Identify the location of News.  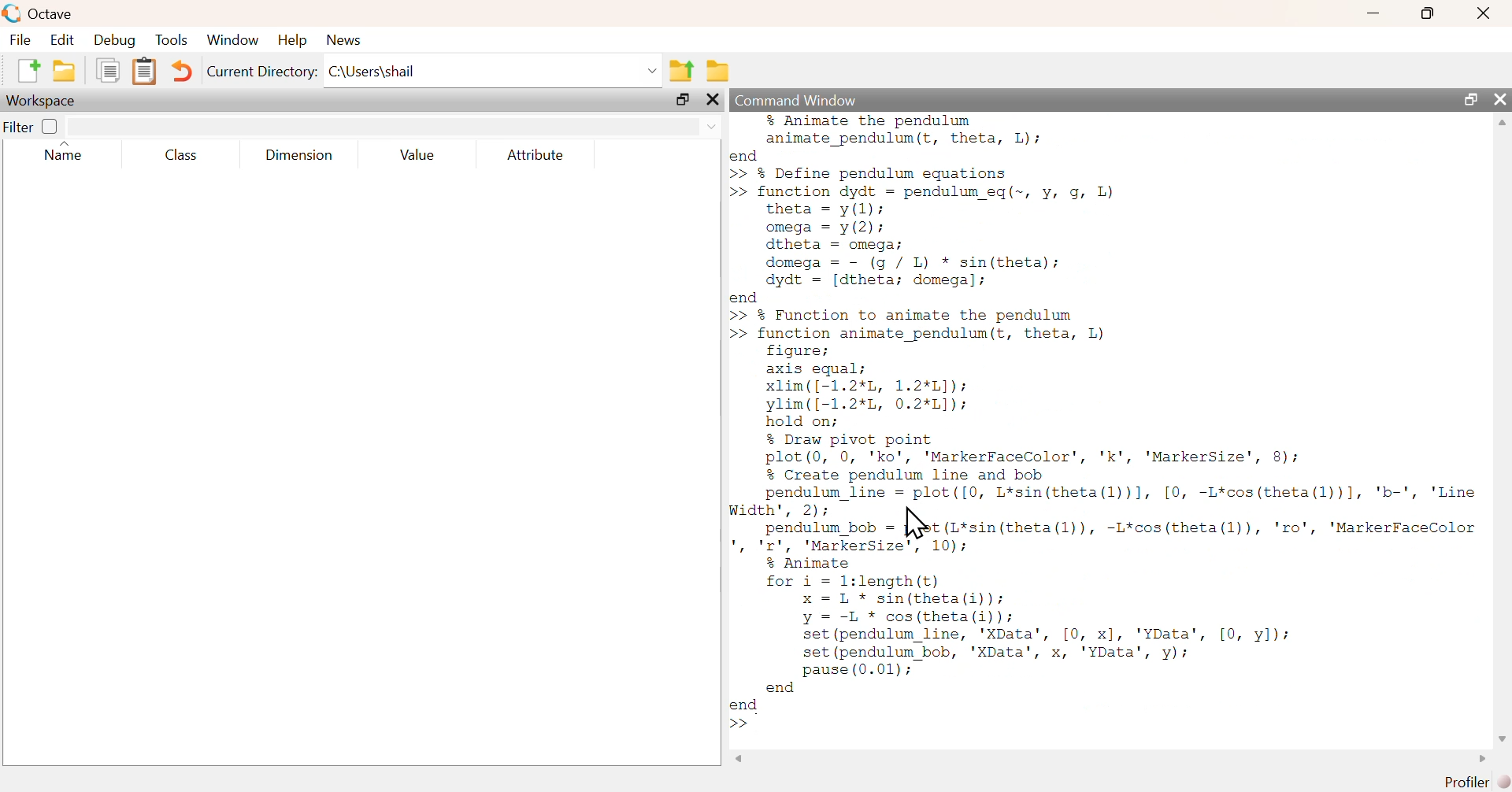
(346, 39).